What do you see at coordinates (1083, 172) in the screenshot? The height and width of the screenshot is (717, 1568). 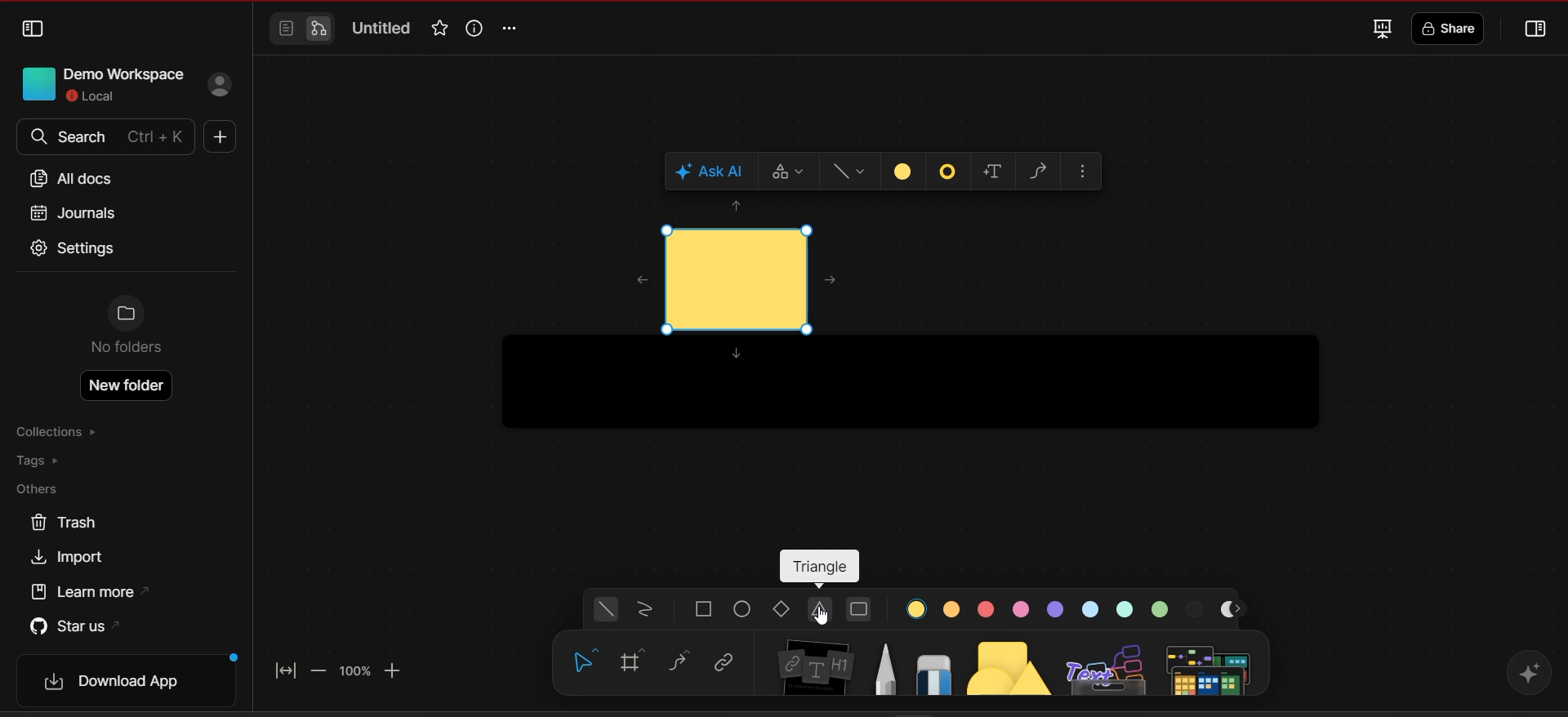 I see `more` at bounding box center [1083, 172].